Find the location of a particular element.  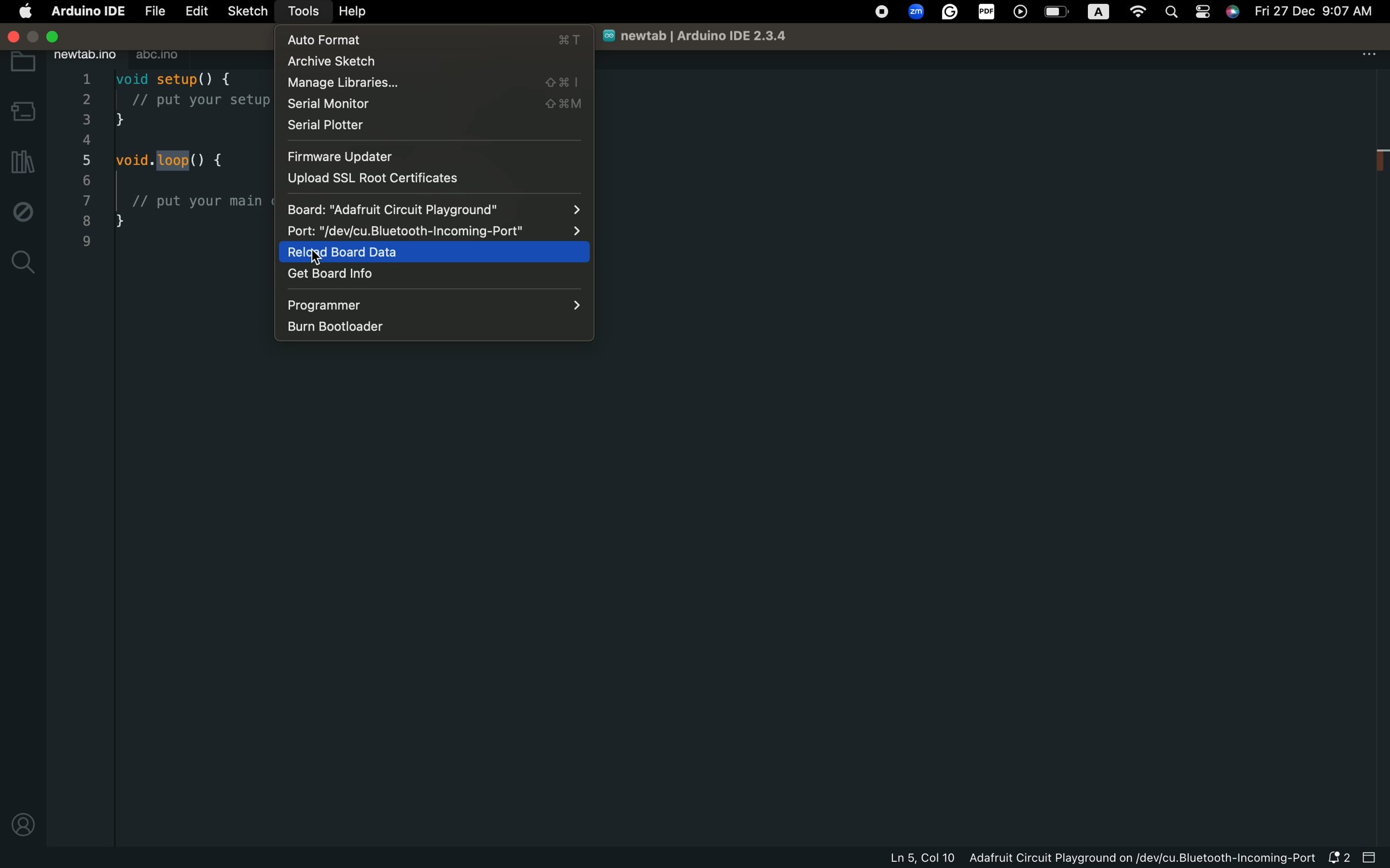

abc.ino is located at coordinates (165, 57).